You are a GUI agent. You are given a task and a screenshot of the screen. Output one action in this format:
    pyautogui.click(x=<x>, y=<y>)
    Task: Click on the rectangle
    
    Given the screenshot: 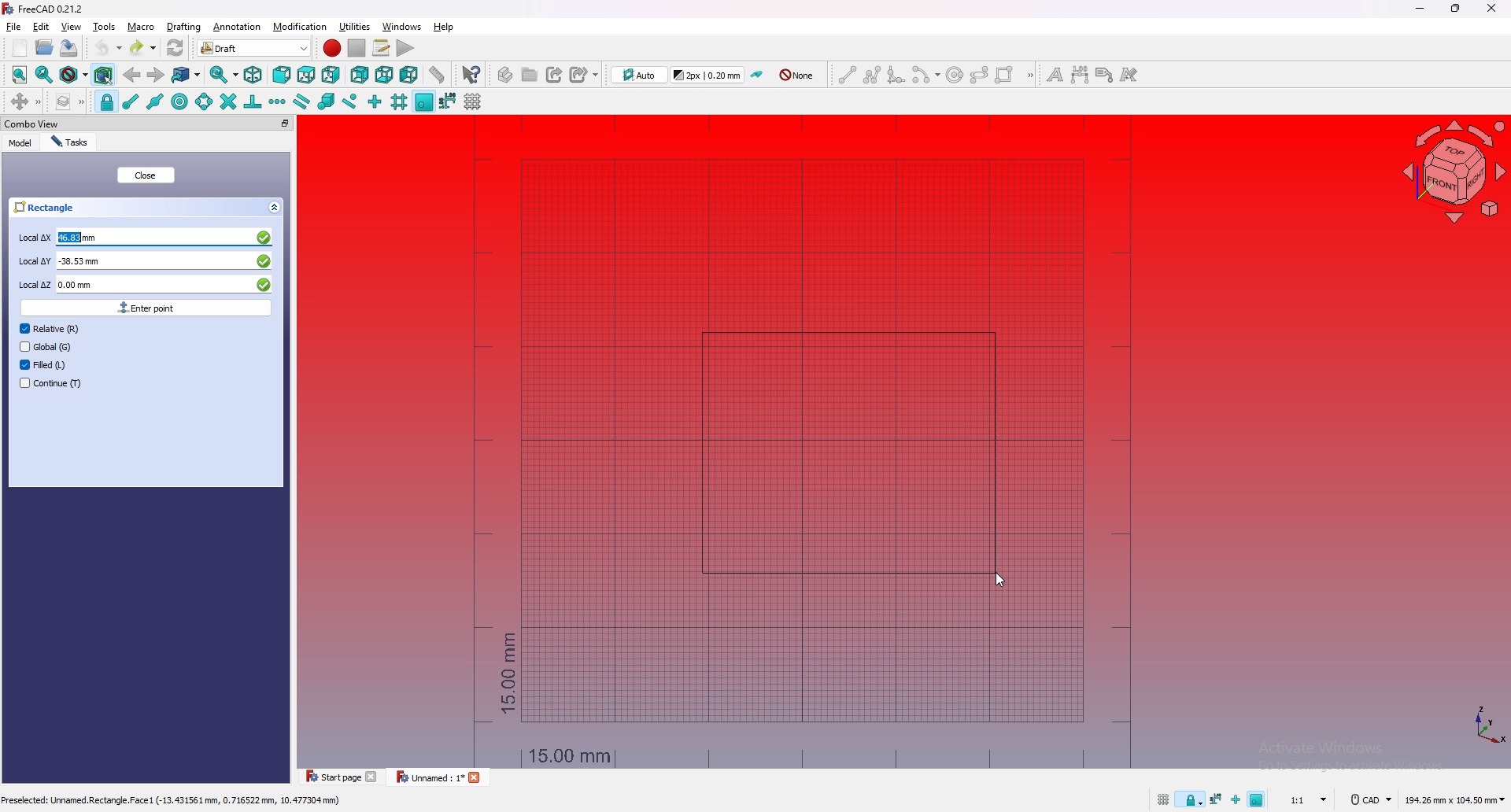 What is the action you would take?
    pyautogui.click(x=1005, y=75)
    